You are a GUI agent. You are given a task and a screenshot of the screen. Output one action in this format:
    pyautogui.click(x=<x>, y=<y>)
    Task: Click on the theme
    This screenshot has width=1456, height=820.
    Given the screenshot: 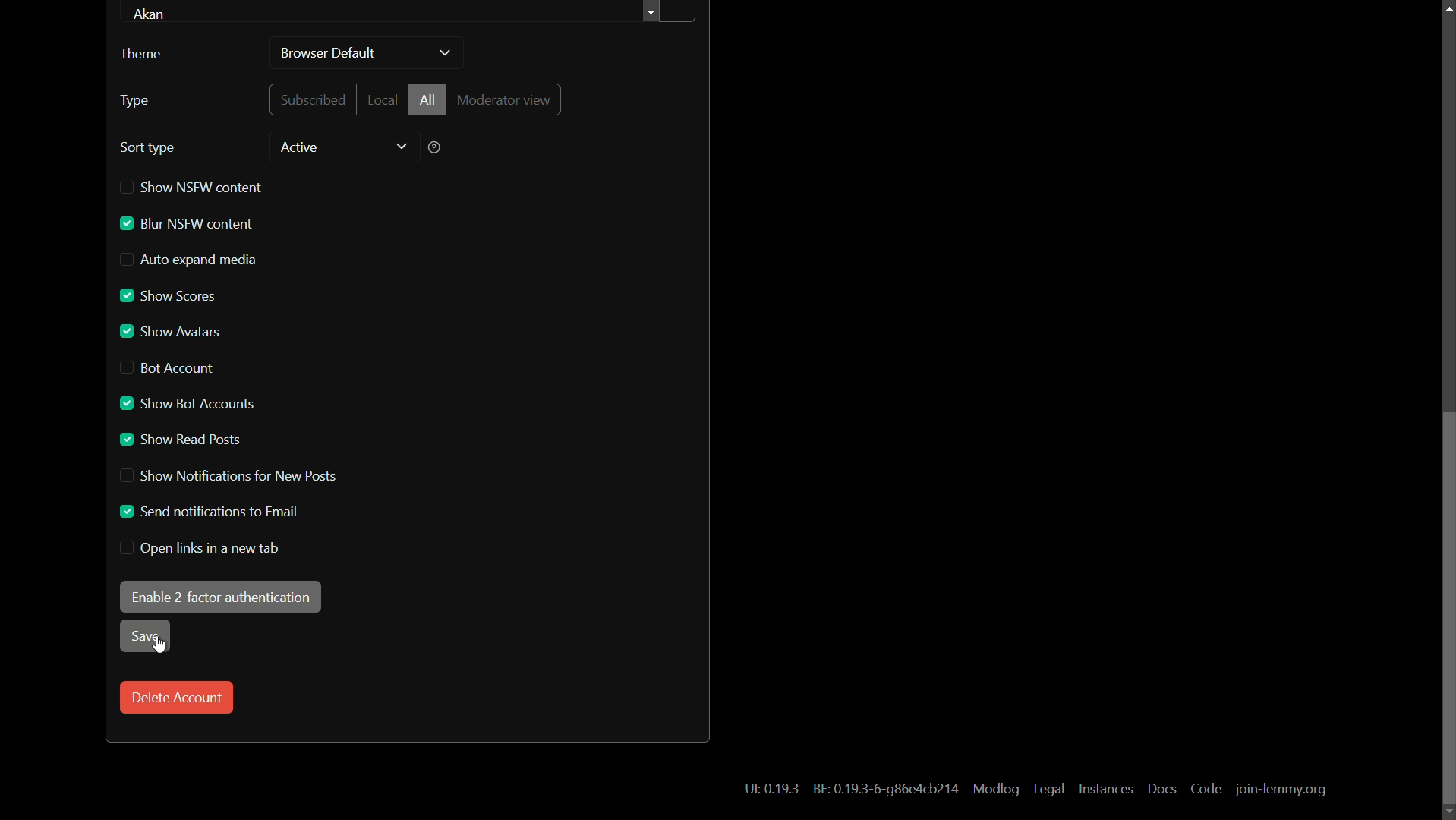 What is the action you would take?
    pyautogui.click(x=147, y=55)
    